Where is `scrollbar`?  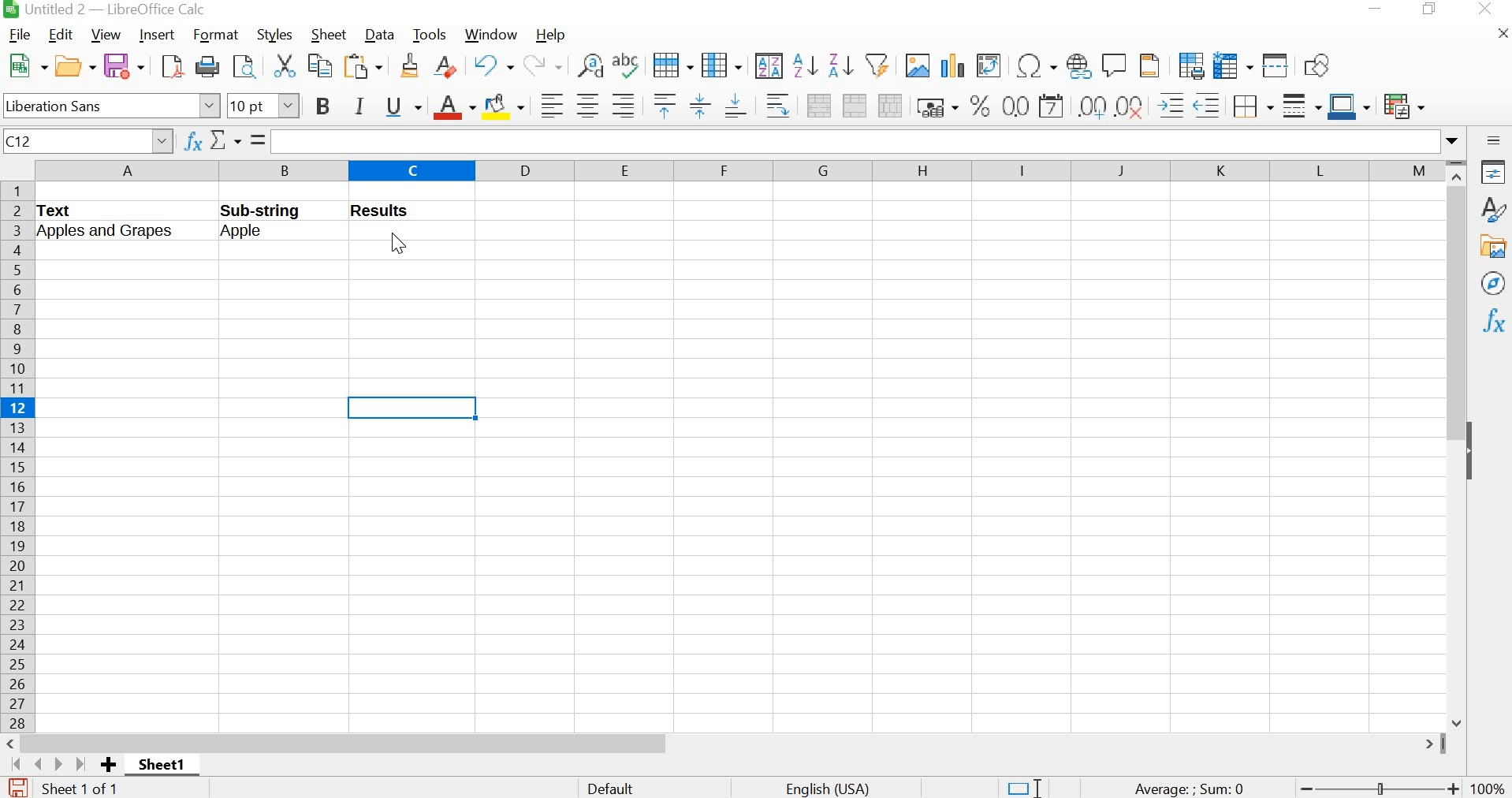
scrollbar is located at coordinates (1458, 444).